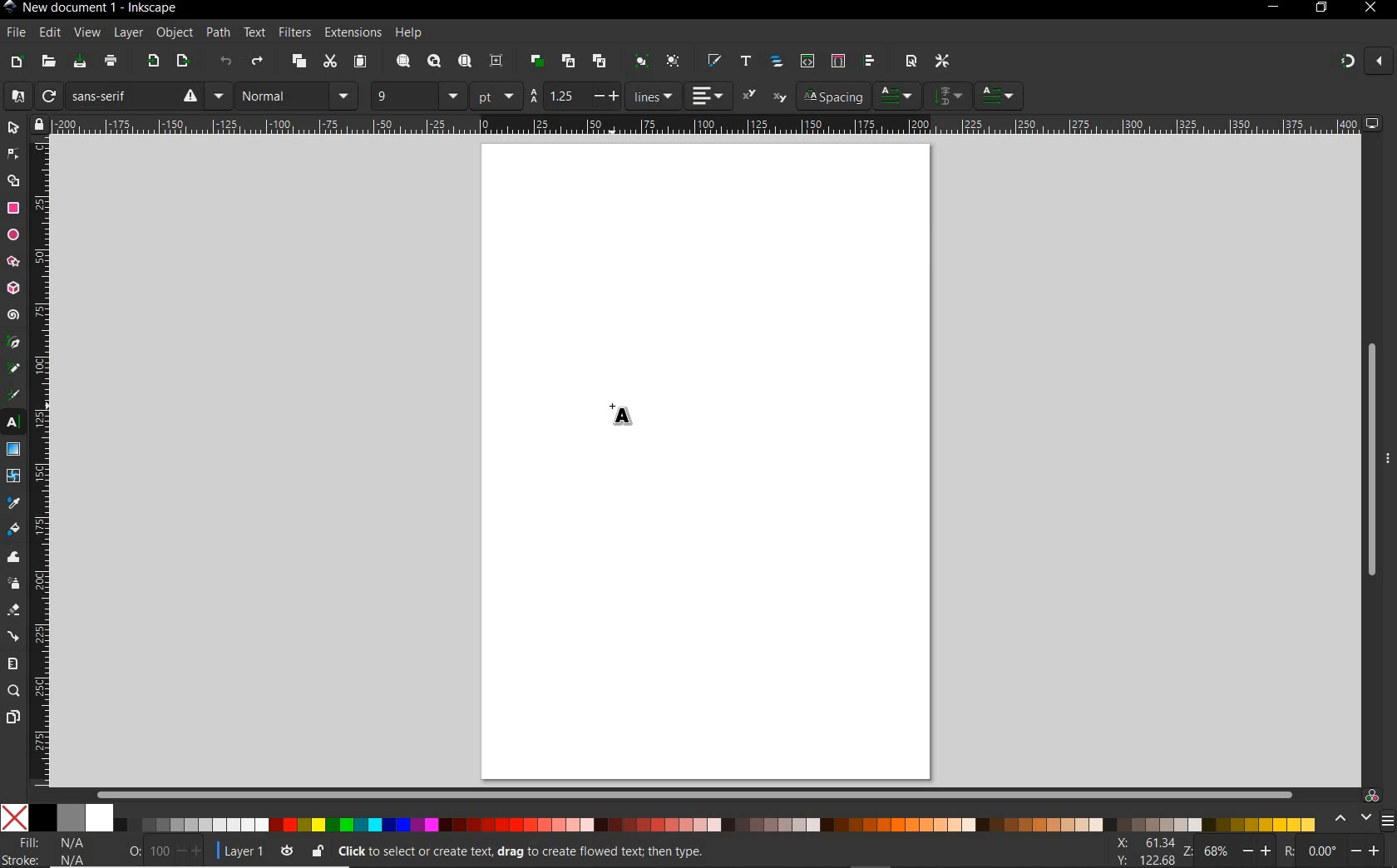 This screenshot has height=868, width=1397. I want to click on layer, so click(124, 32).